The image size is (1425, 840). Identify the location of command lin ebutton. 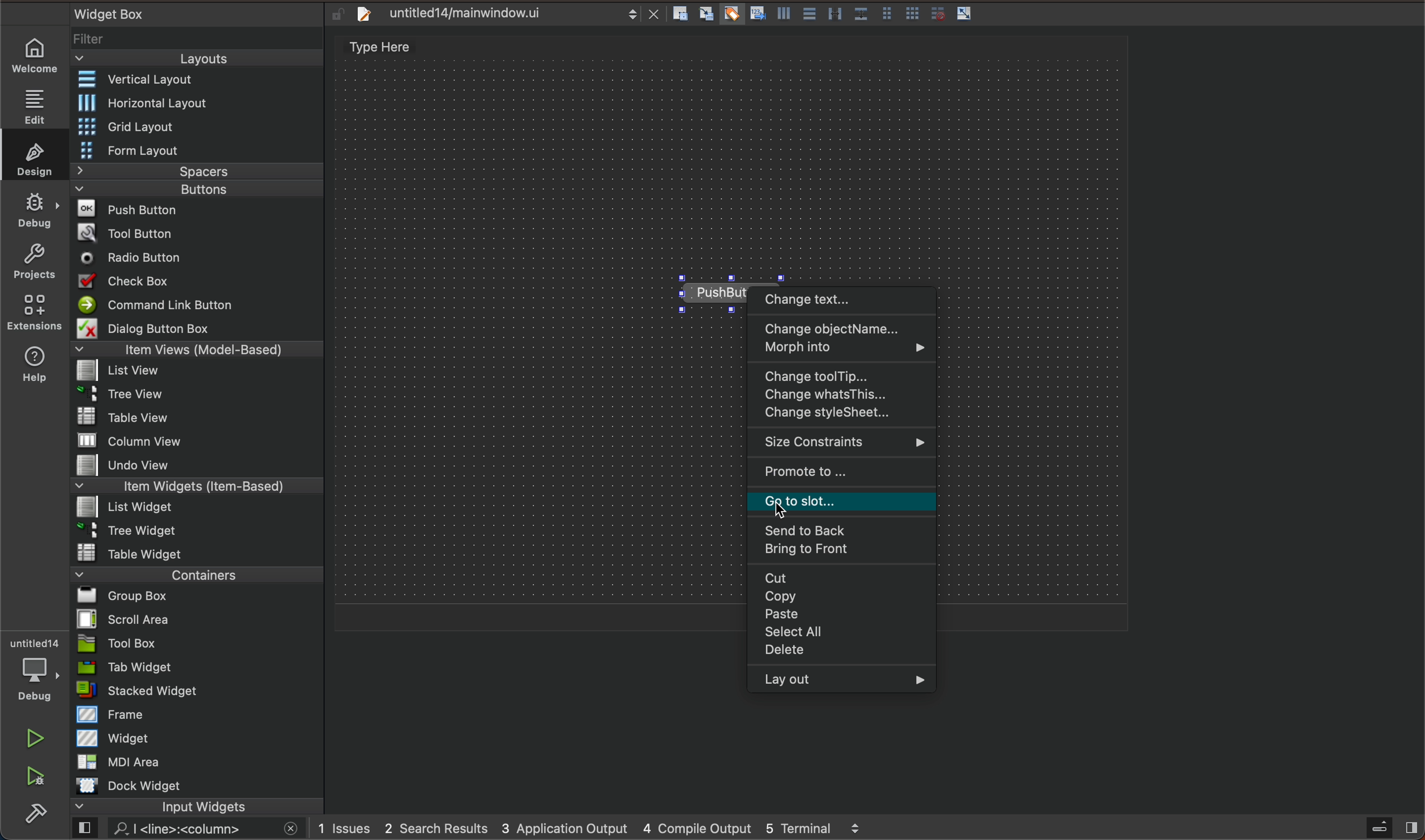
(200, 307).